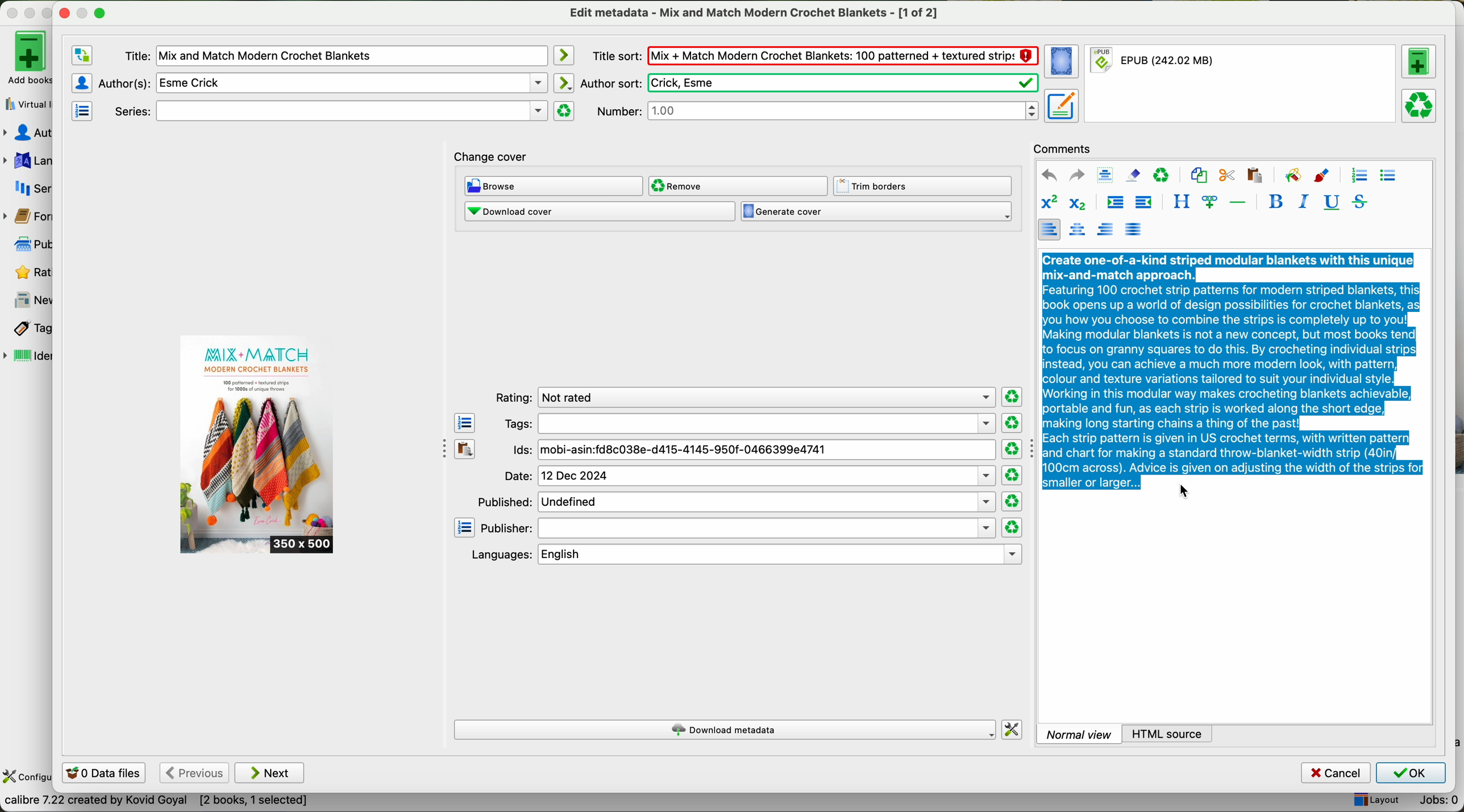  Describe the element at coordinates (335, 56) in the screenshot. I see `title` at that location.